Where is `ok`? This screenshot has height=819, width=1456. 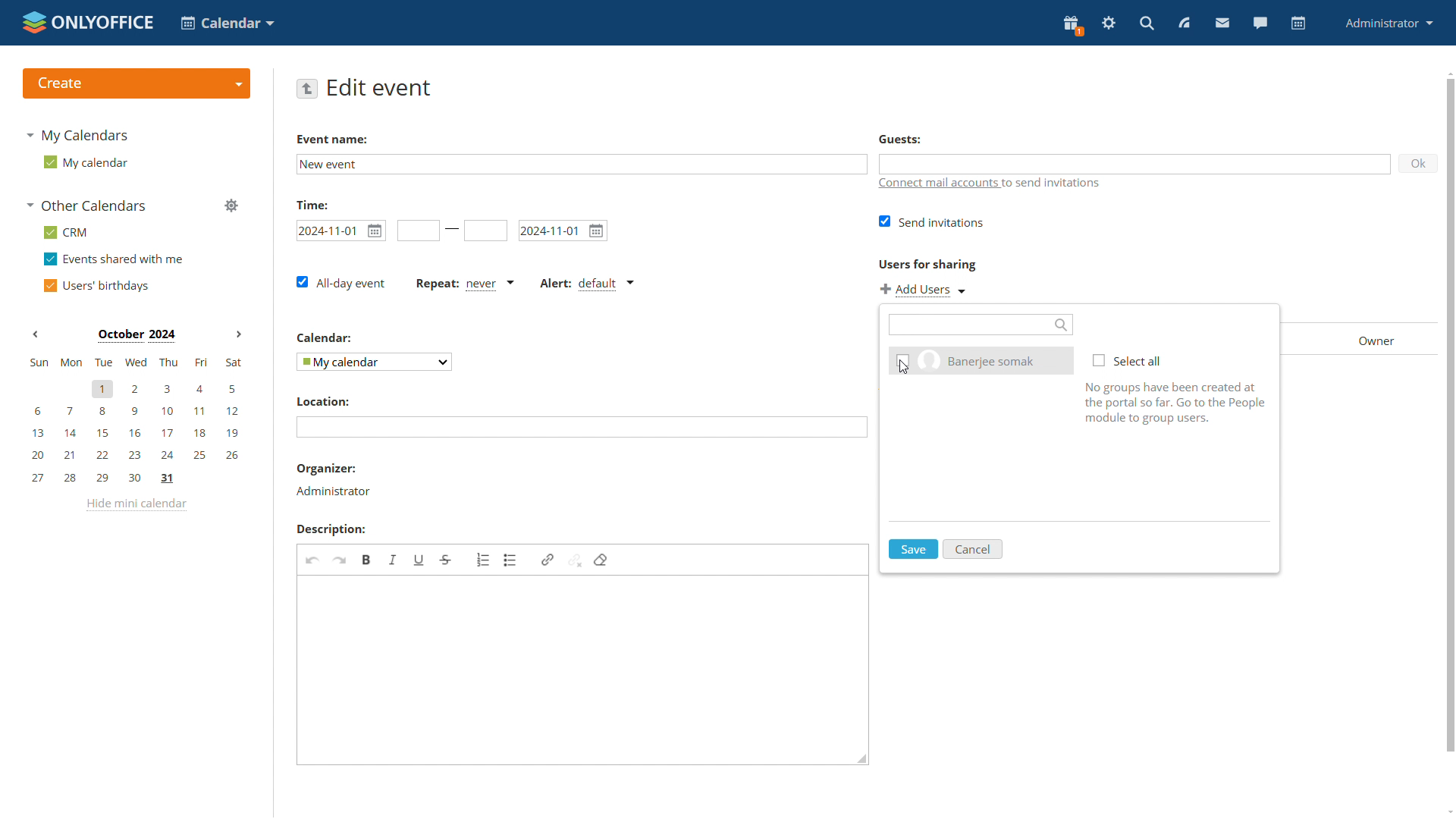
ok is located at coordinates (1419, 164).